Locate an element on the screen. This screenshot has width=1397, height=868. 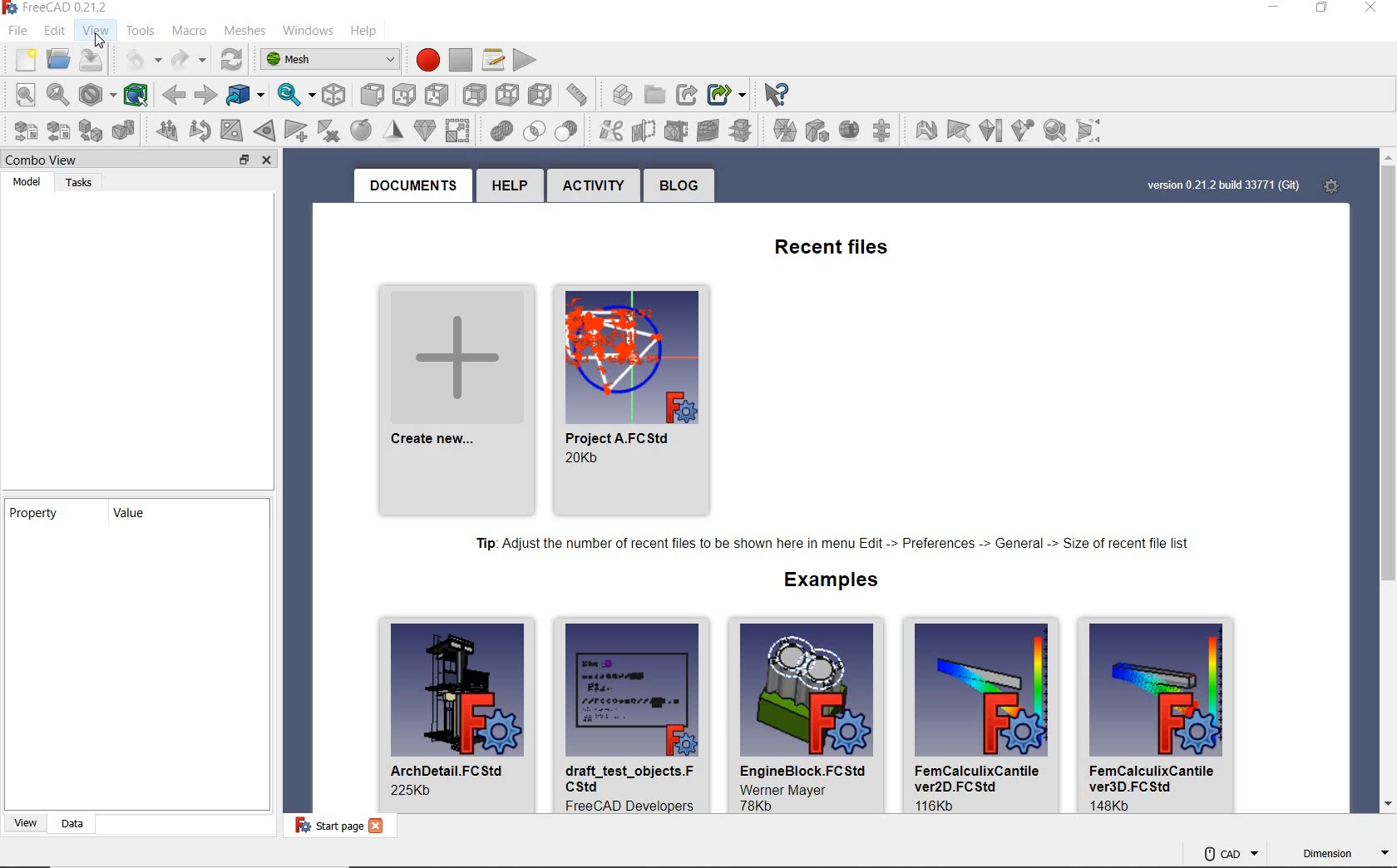
examples is located at coordinates (824, 582).